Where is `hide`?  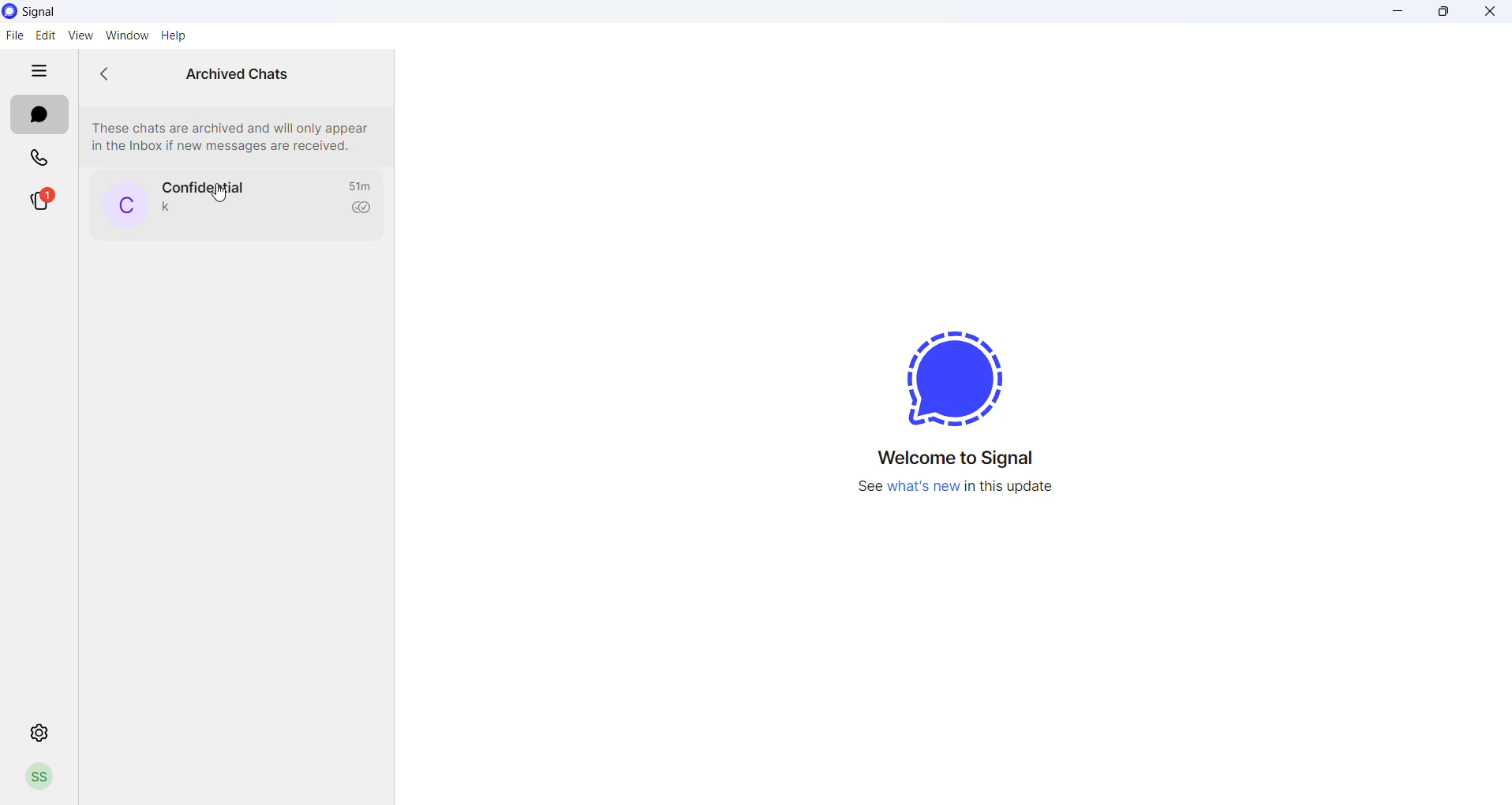 hide is located at coordinates (37, 72).